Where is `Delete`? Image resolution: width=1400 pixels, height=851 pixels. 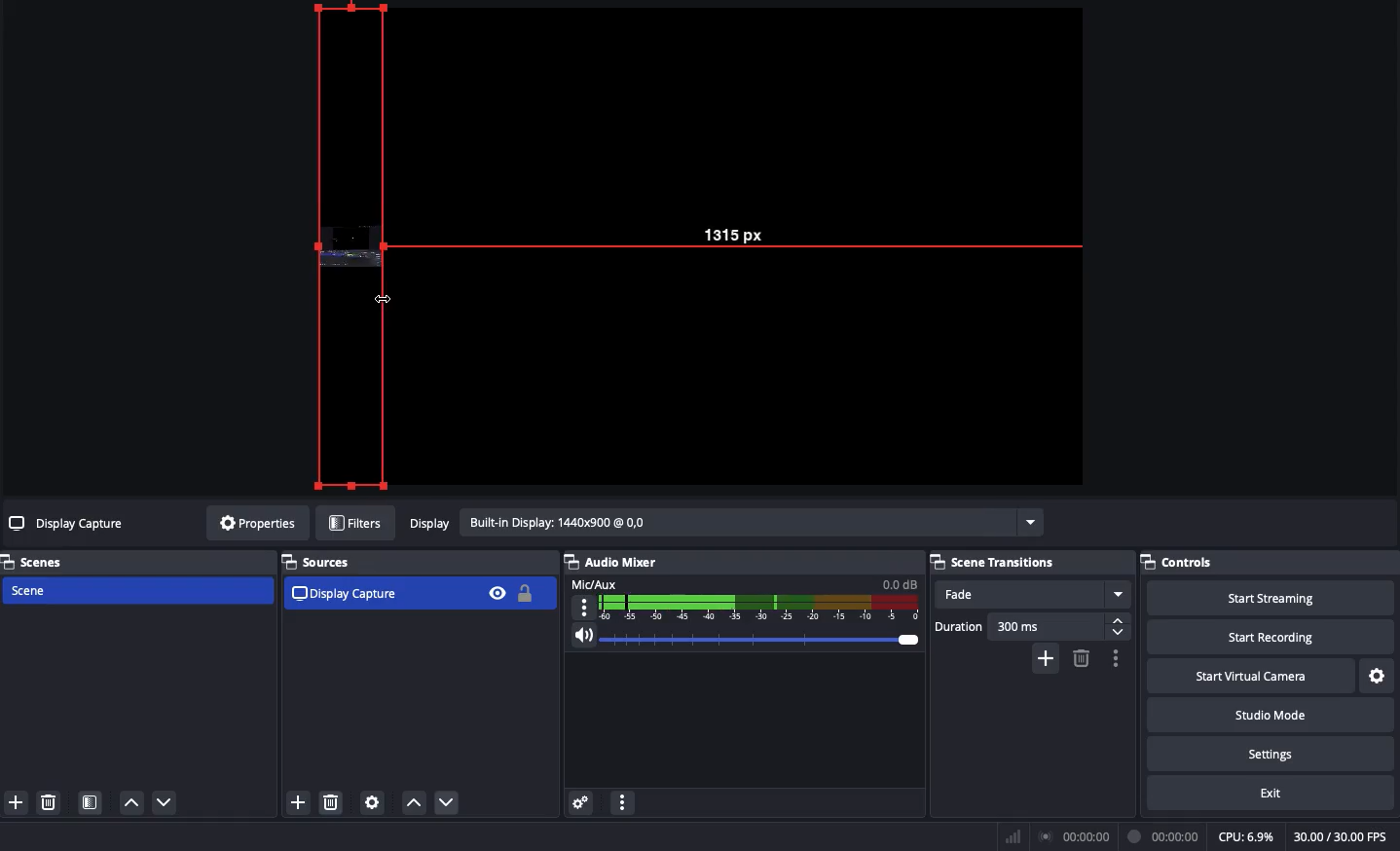 Delete is located at coordinates (1080, 658).